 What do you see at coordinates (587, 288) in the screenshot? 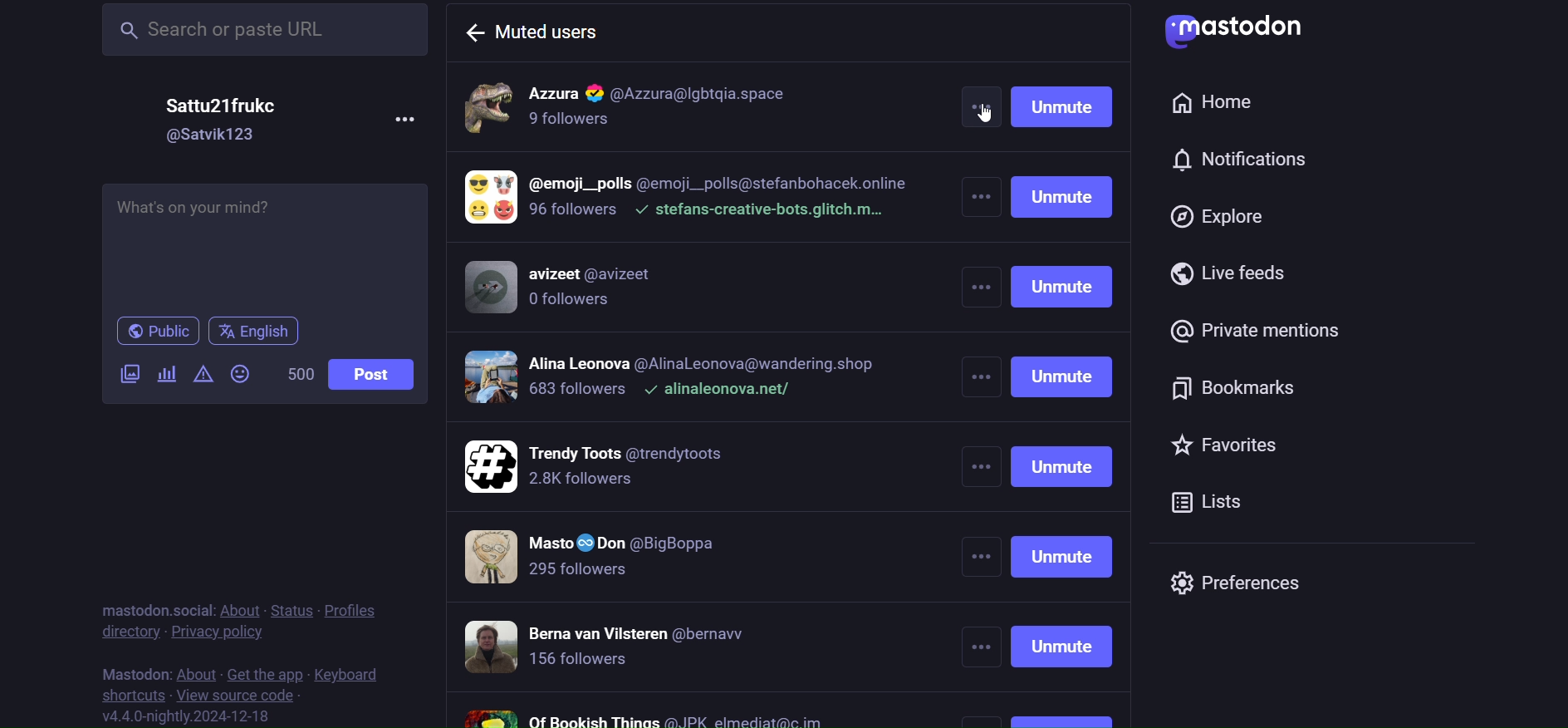
I see `muted accounts 3` at bounding box center [587, 288].